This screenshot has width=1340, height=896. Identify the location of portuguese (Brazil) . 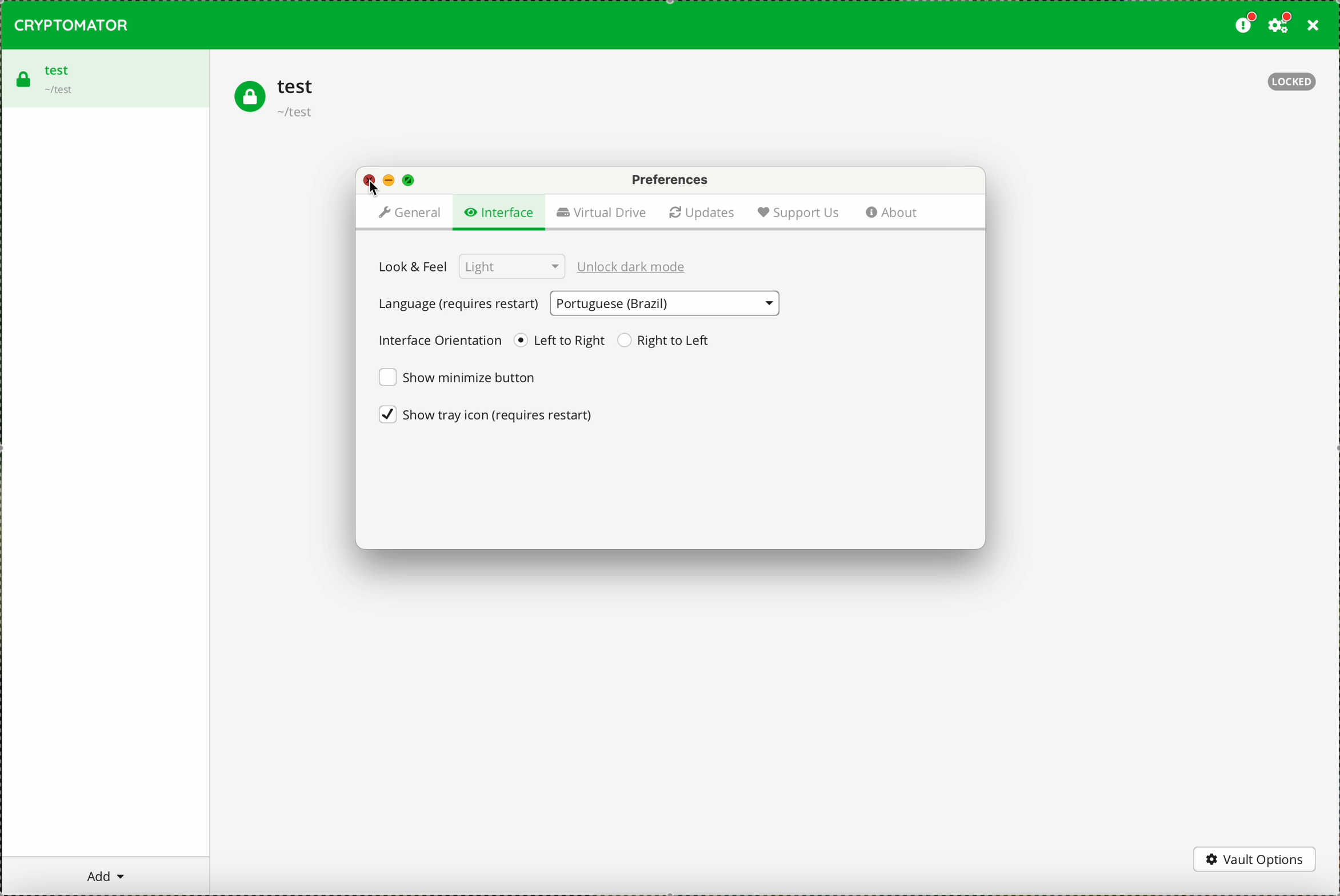
(665, 304).